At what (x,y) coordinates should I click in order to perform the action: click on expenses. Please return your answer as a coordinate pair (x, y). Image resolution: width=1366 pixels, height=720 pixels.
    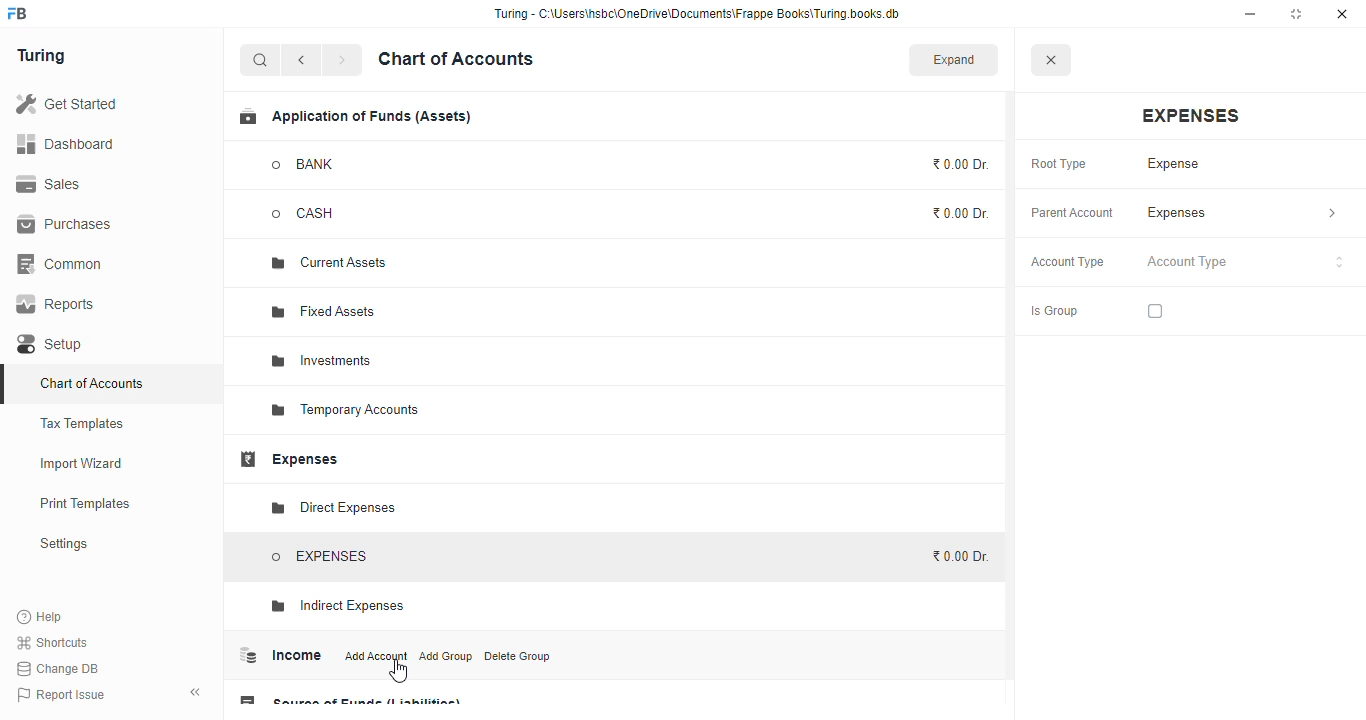
    Looking at the image, I should click on (1191, 116).